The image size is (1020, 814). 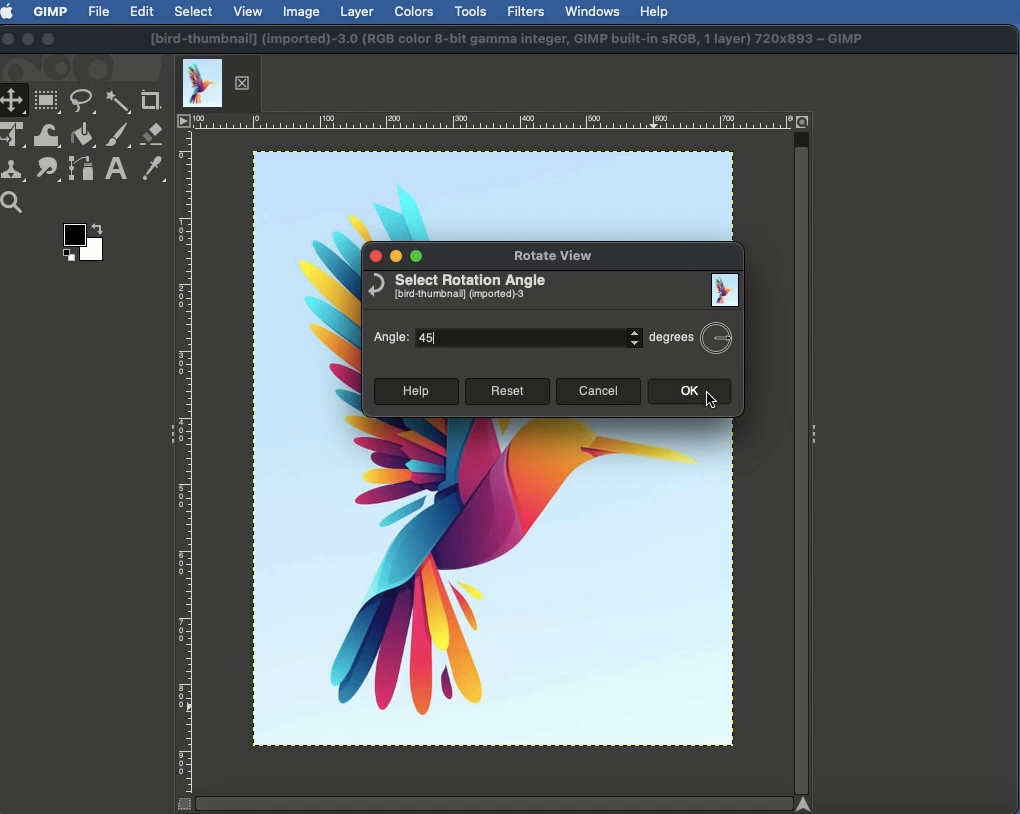 What do you see at coordinates (414, 392) in the screenshot?
I see `Help` at bounding box center [414, 392].